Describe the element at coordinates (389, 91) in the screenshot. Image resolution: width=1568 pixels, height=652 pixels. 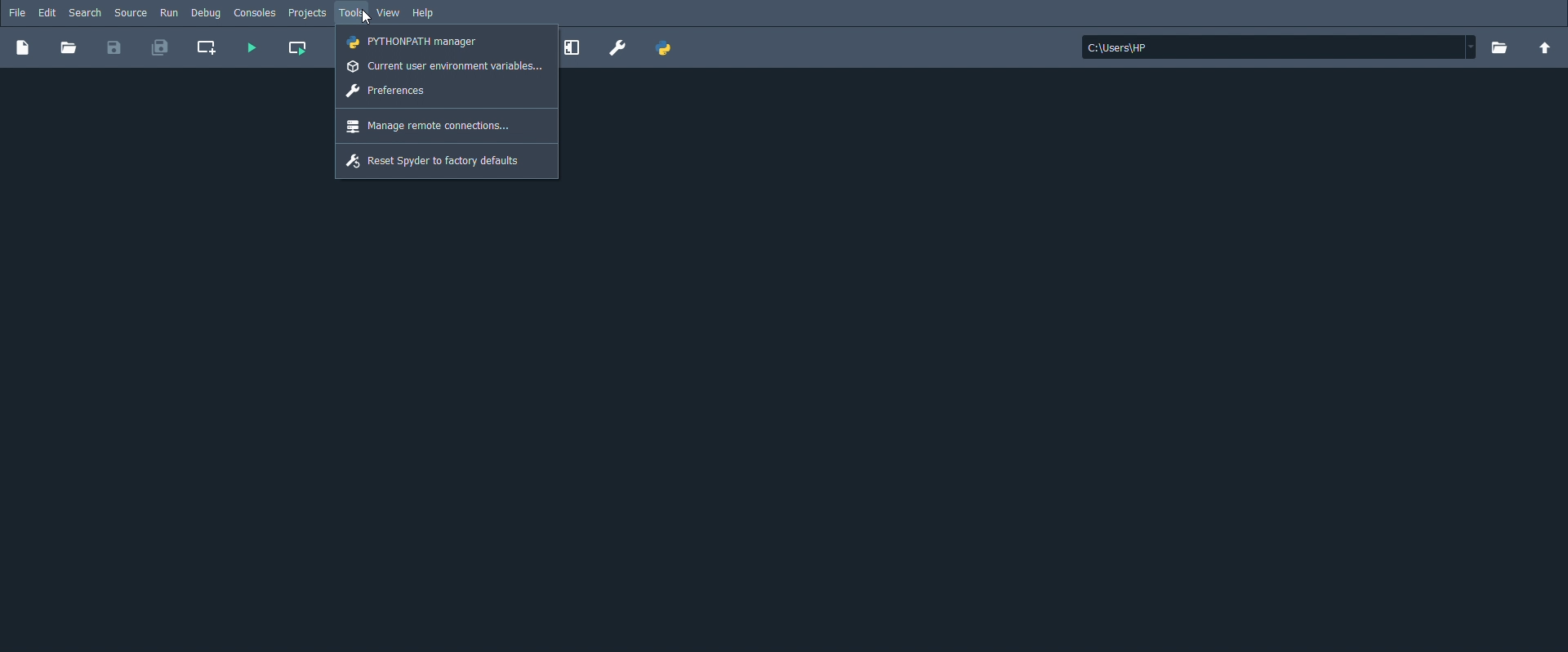
I see `Preferences` at that location.